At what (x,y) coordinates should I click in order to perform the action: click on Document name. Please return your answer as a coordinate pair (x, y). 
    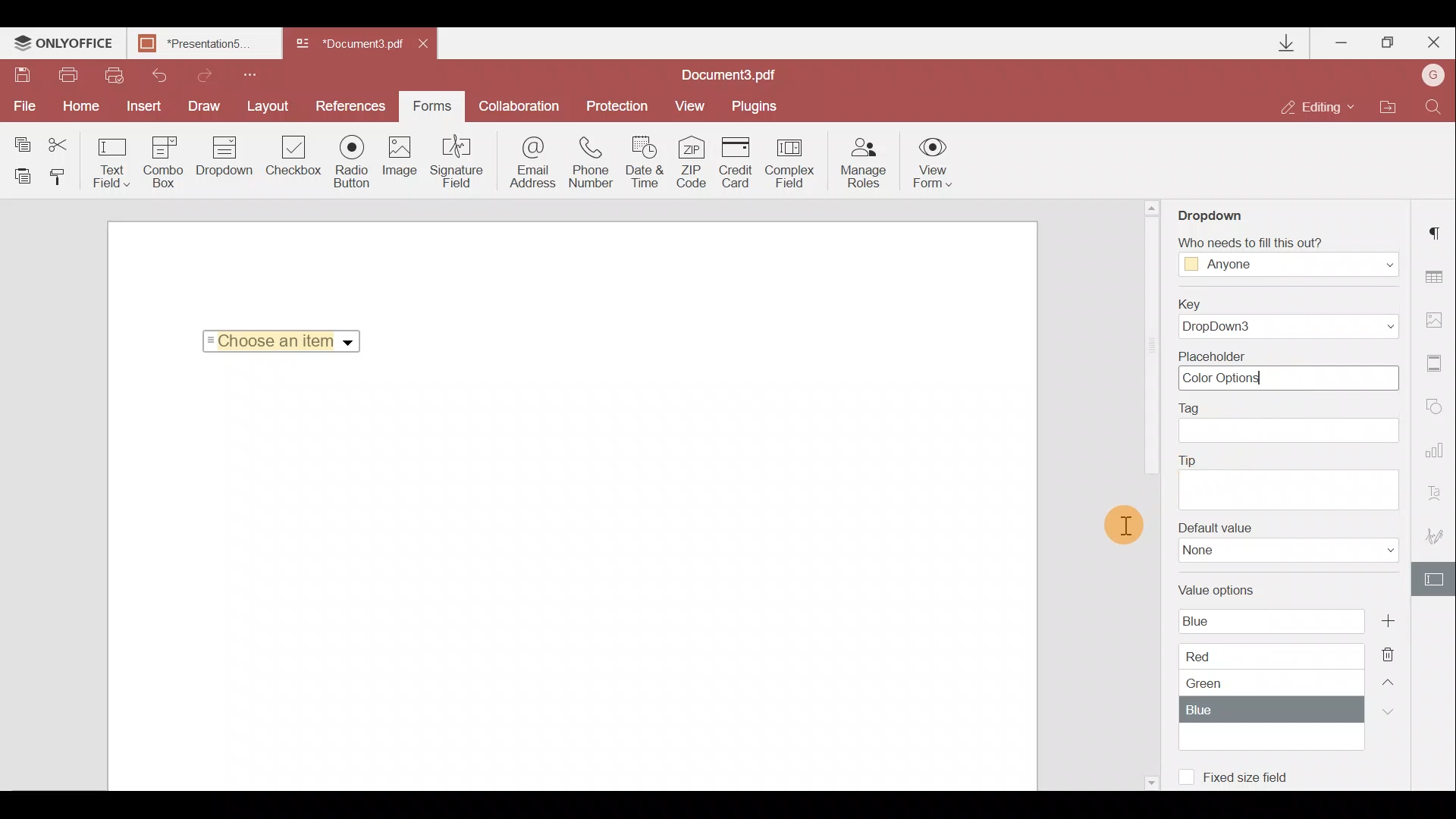
    Looking at the image, I should click on (347, 45).